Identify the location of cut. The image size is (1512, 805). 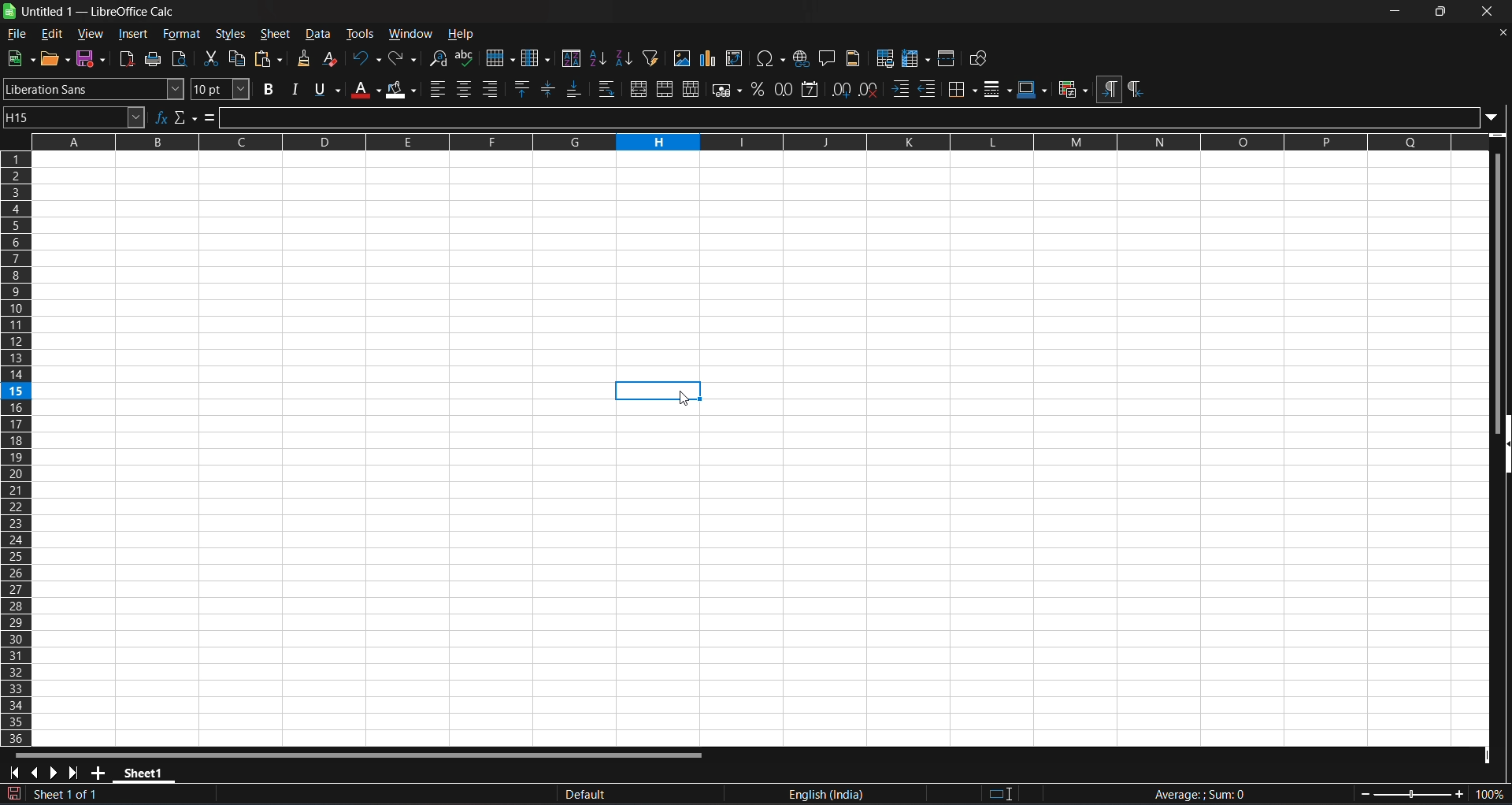
(210, 58).